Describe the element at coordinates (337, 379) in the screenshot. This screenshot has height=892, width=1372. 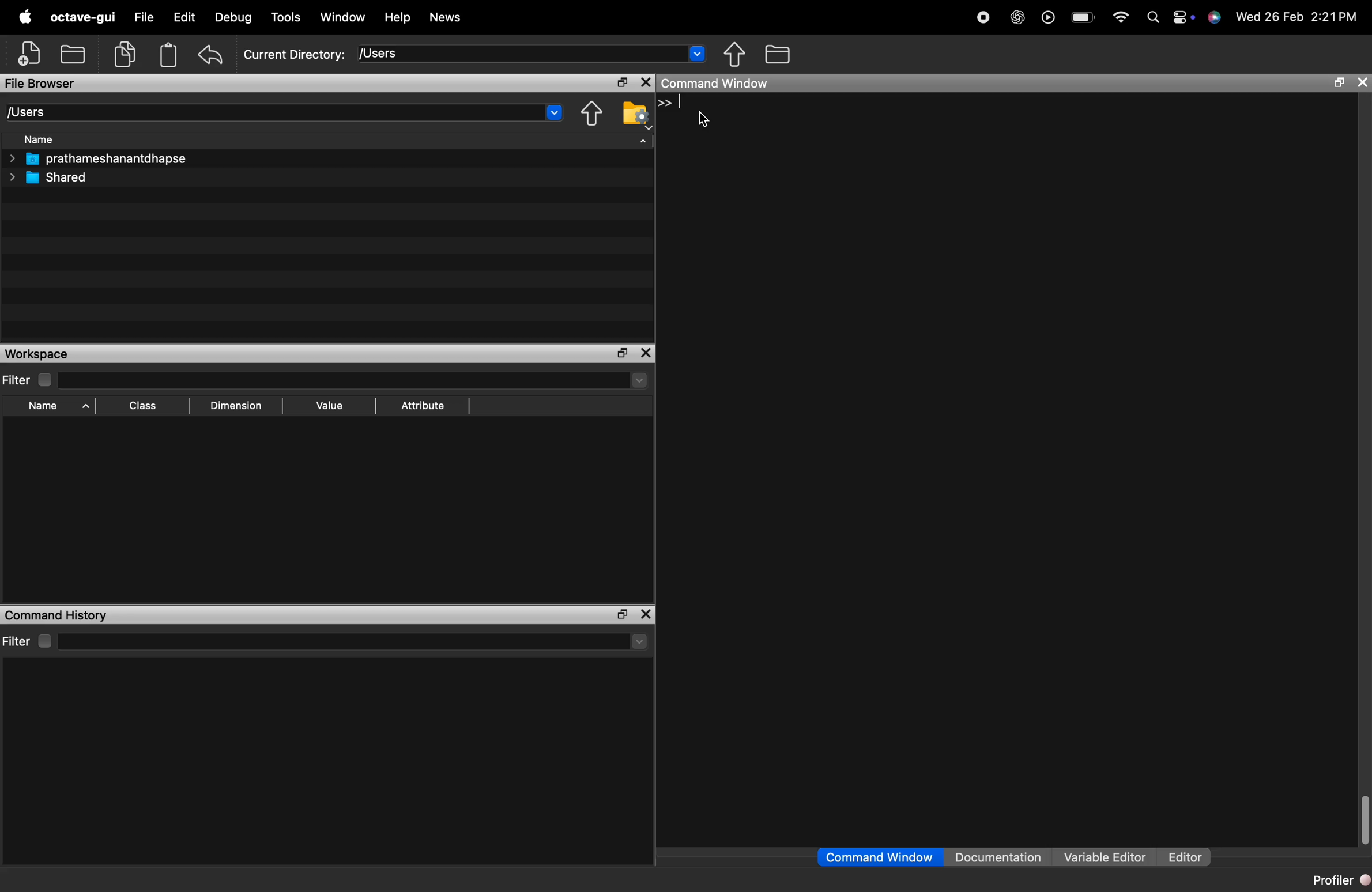
I see `filter input field` at that location.